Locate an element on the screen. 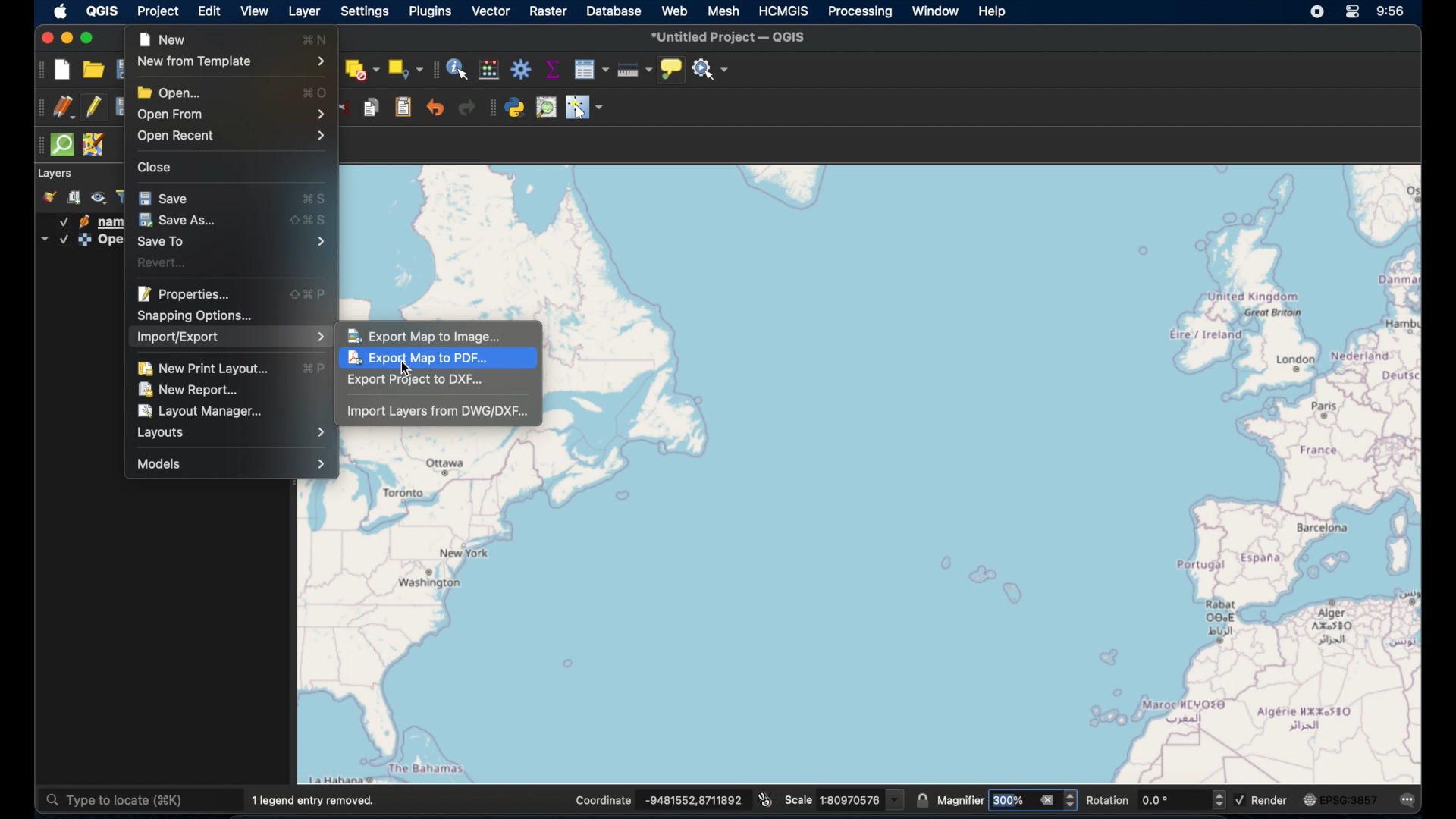 The image size is (1456, 819). new shortcut is located at coordinates (315, 39).